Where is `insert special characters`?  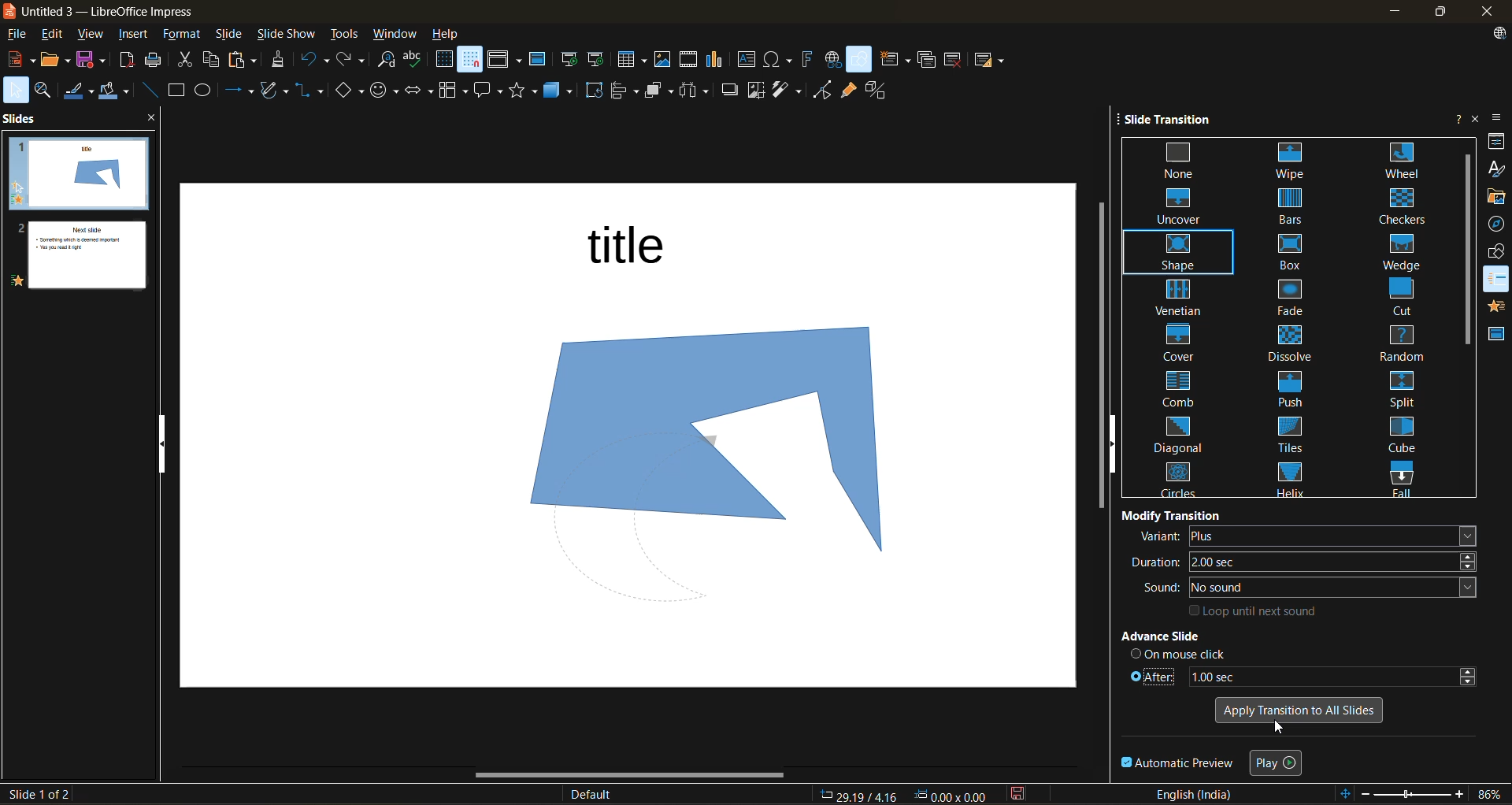 insert special characters is located at coordinates (780, 61).